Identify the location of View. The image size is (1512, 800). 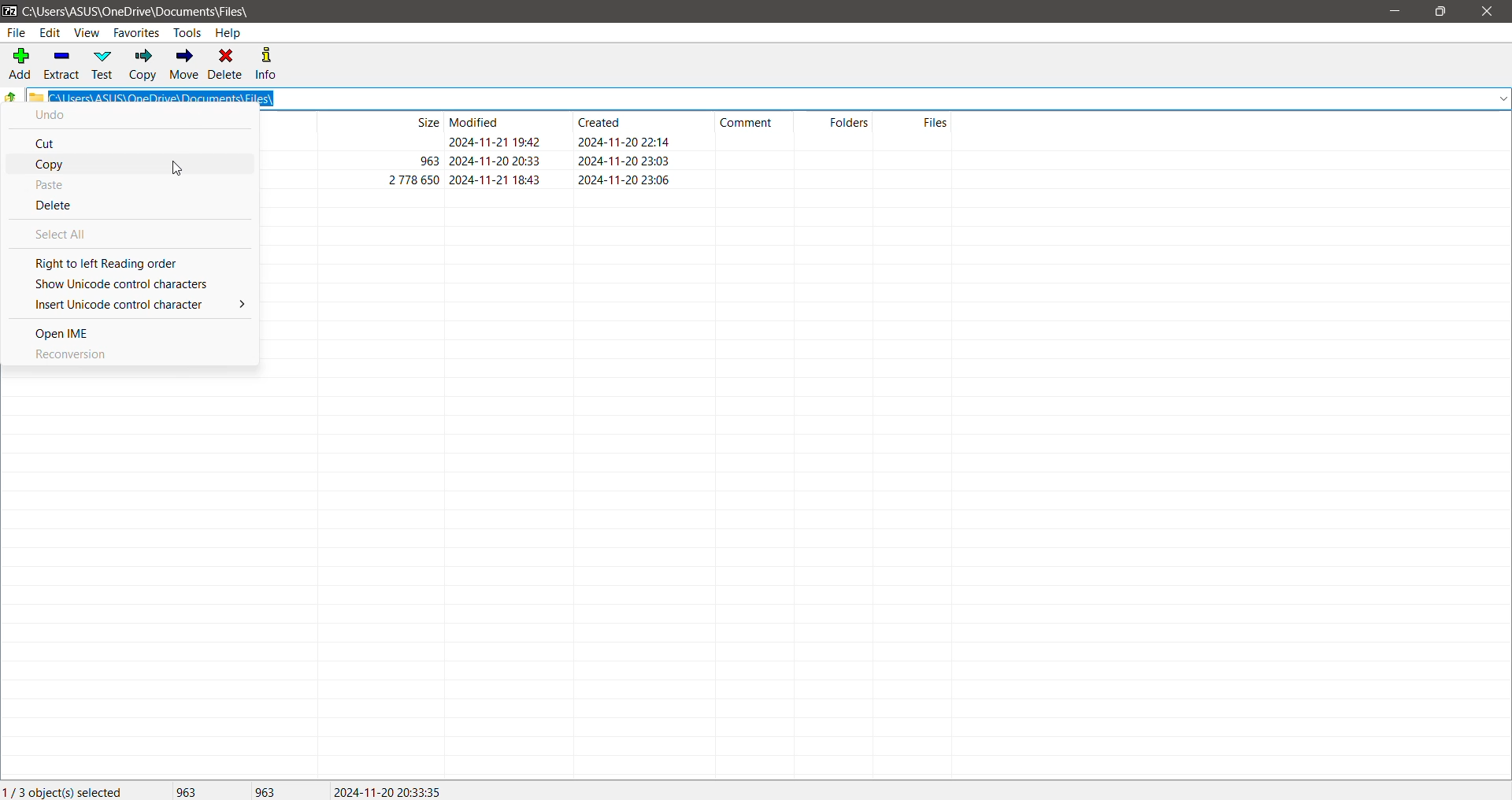
(86, 33).